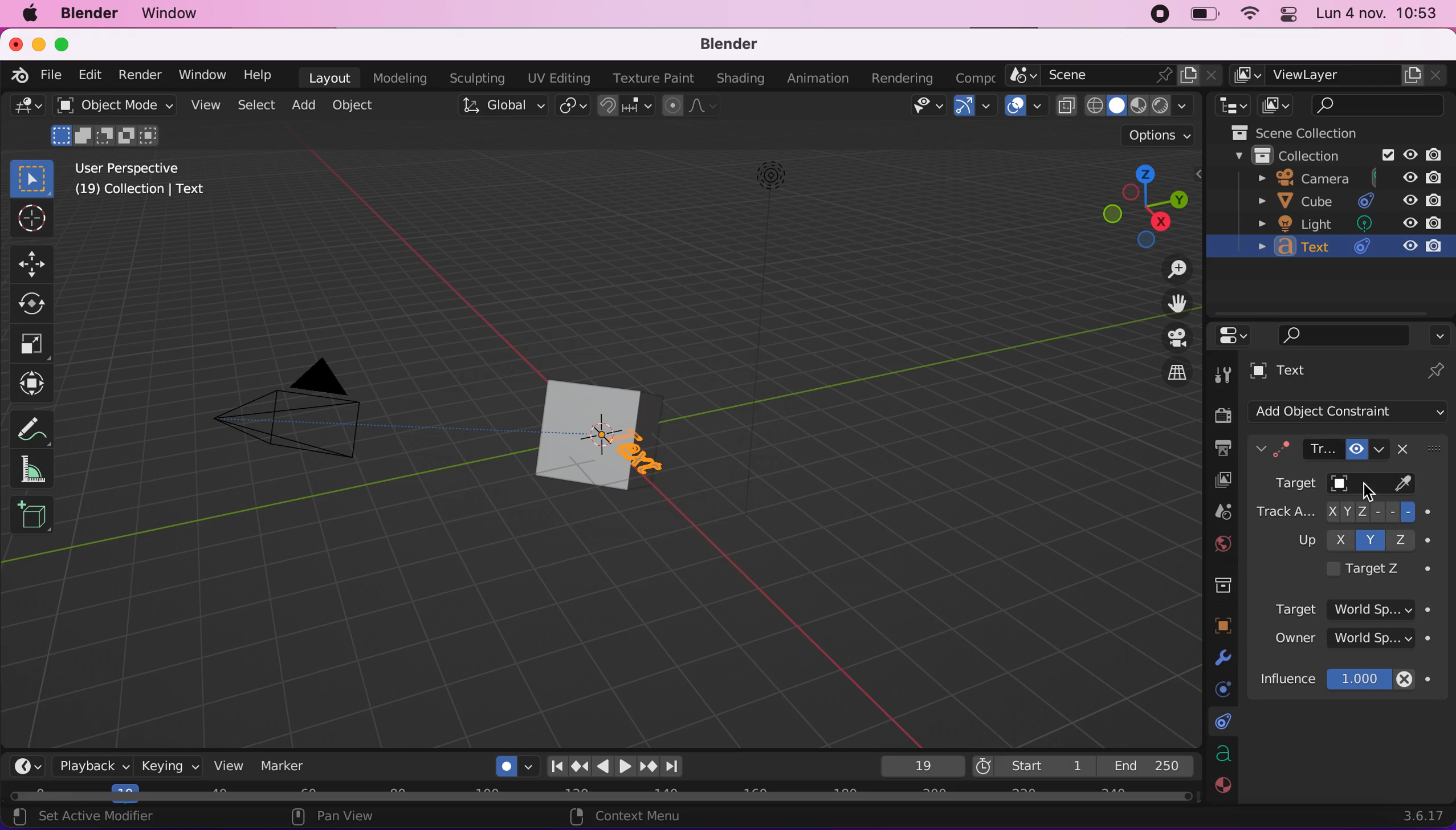 The image size is (1456, 830). What do you see at coordinates (1420, 815) in the screenshot?
I see `3.6.17` at bounding box center [1420, 815].